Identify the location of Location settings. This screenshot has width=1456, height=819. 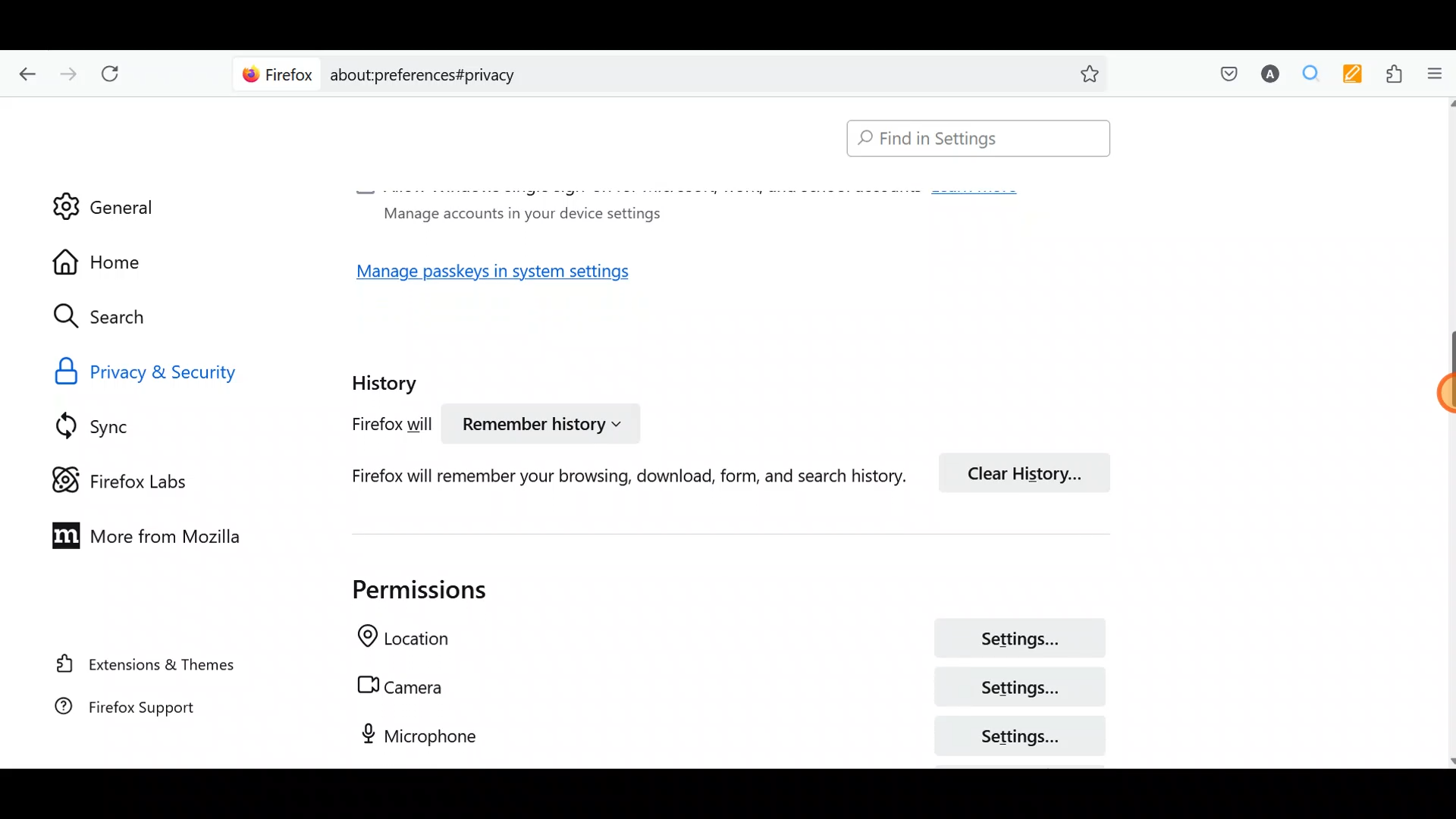
(722, 640).